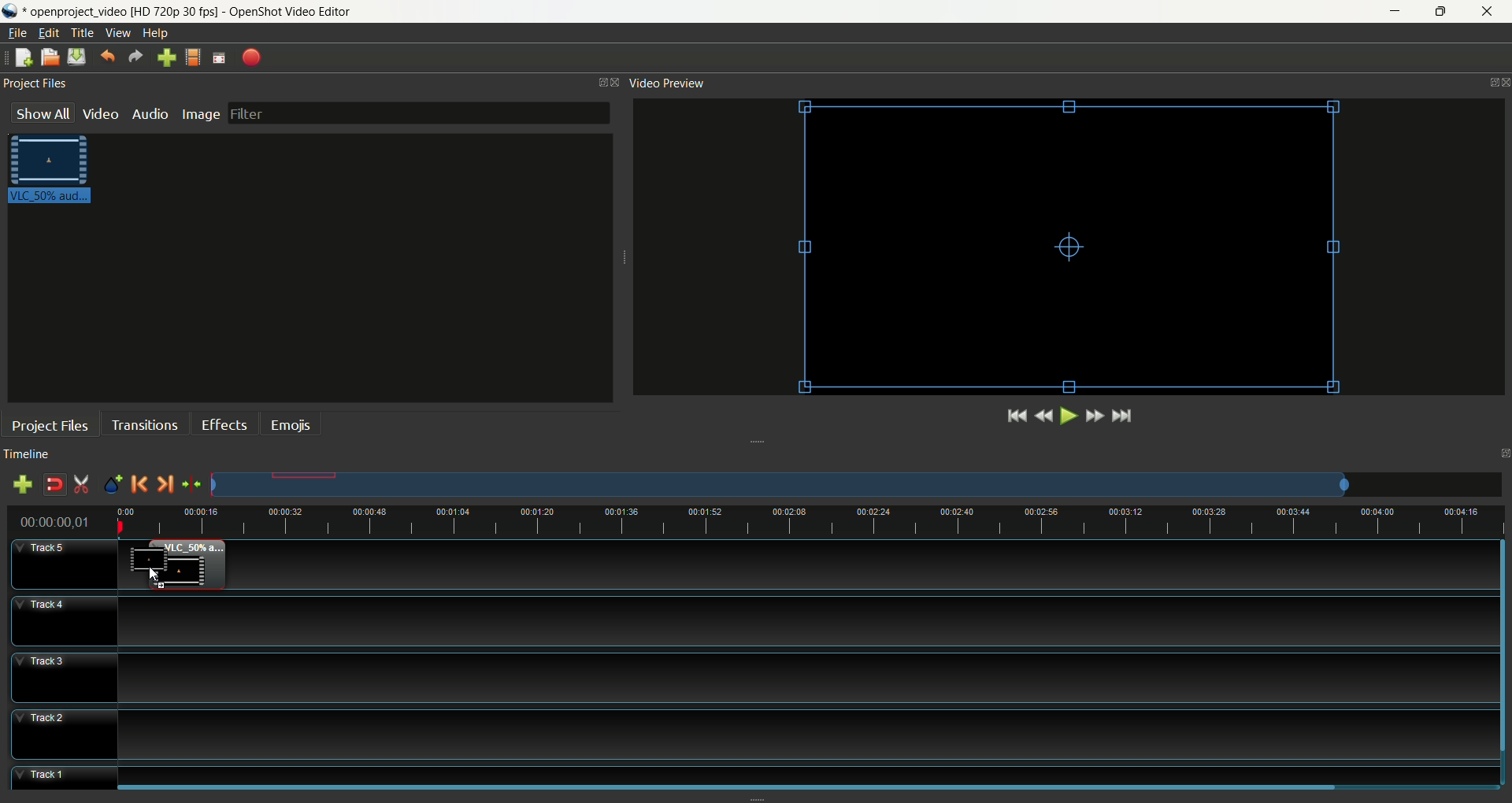 The image size is (1512, 803). Describe the element at coordinates (50, 426) in the screenshot. I see `project files` at that location.